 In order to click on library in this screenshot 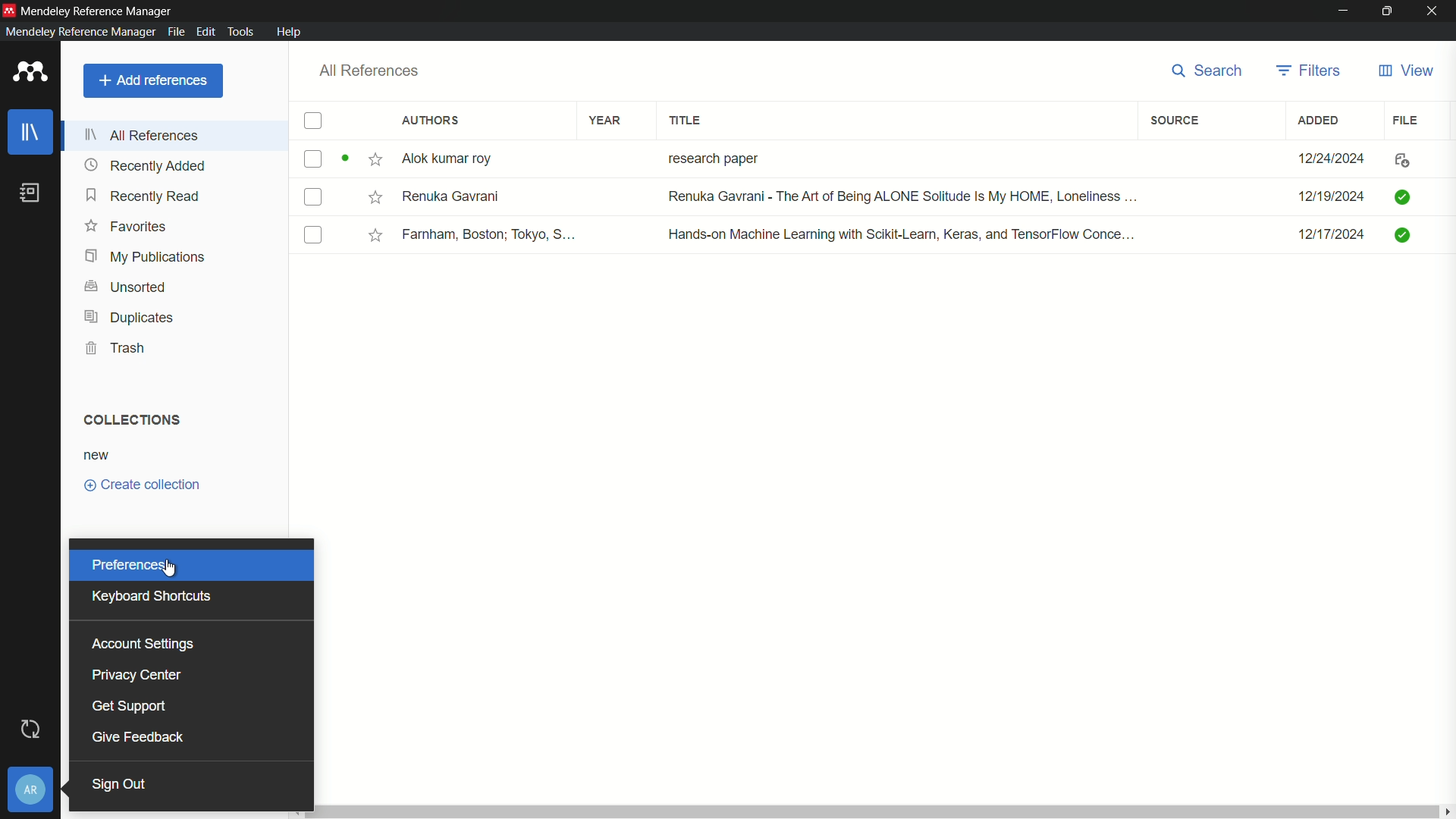, I will do `click(31, 132)`.